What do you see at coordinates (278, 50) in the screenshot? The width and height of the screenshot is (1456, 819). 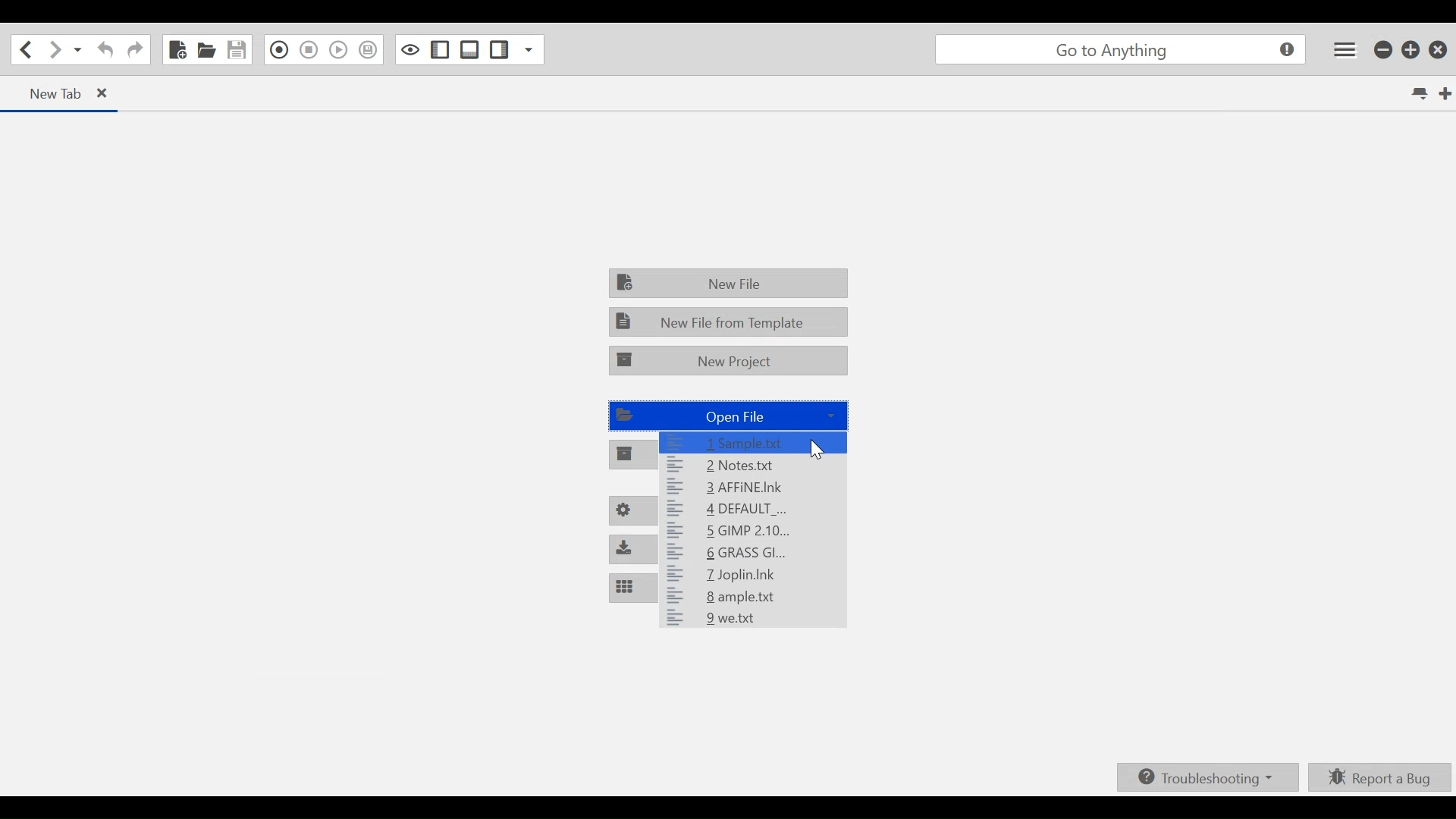 I see `Record Macro` at bounding box center [278, 50].